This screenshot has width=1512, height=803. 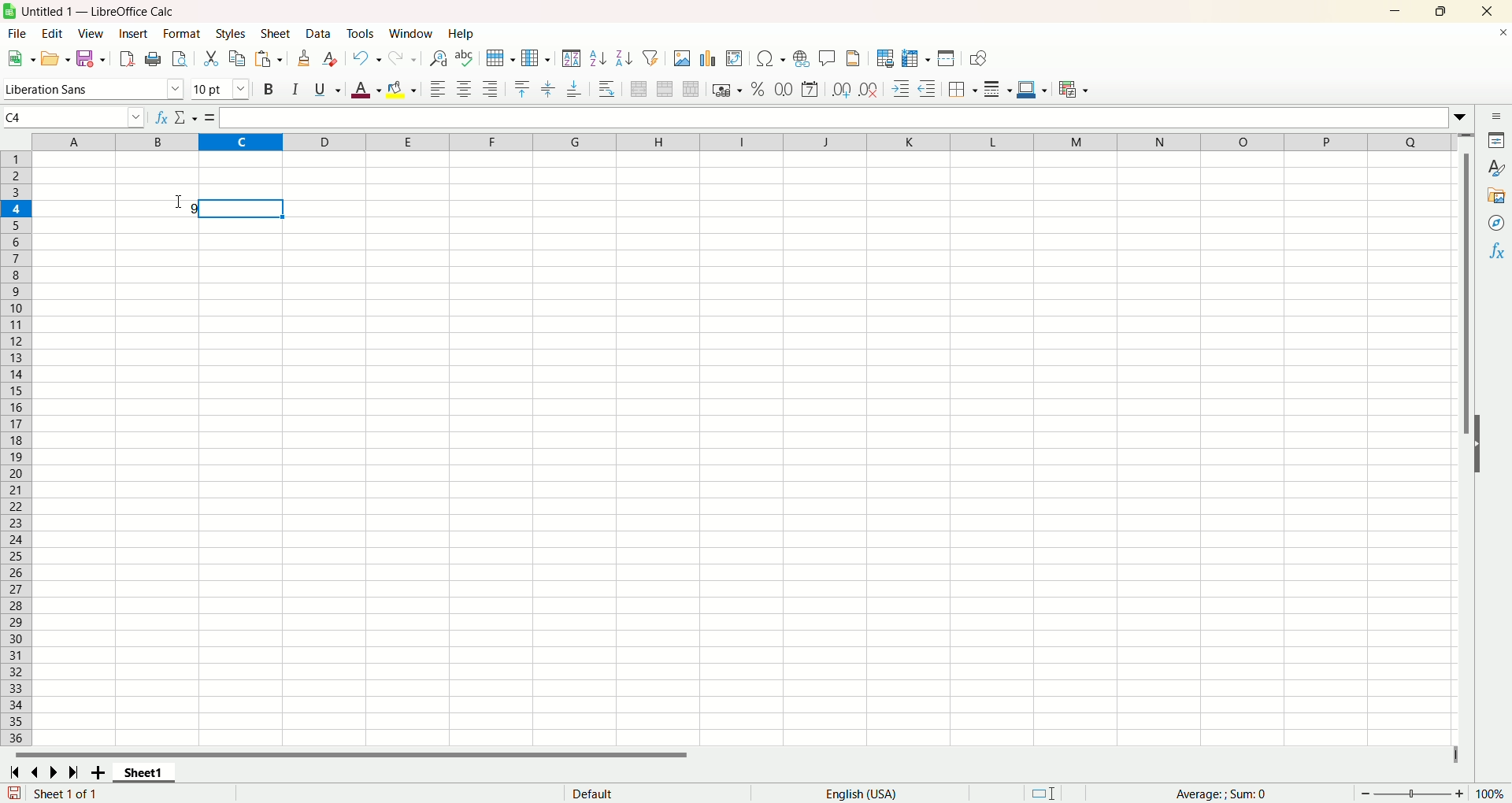 I want to click on undo, so click(x=368, y=58).